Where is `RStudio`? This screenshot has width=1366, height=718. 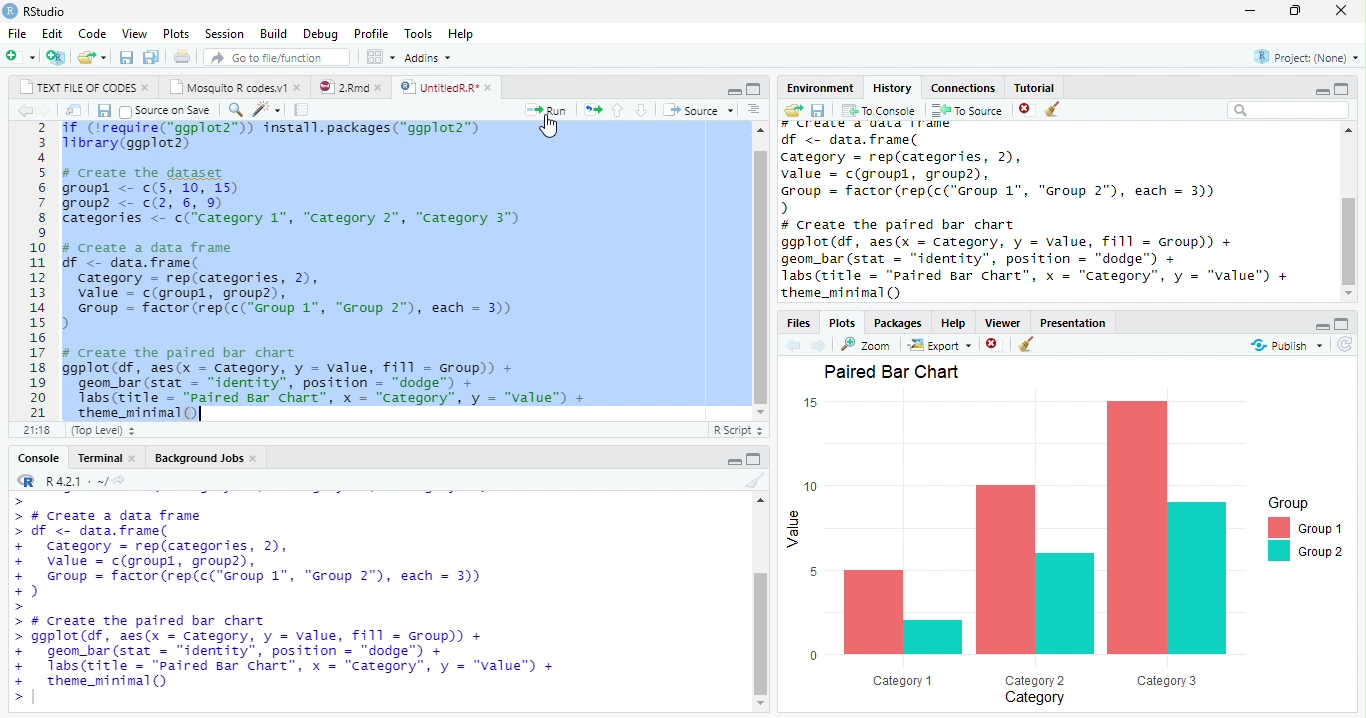 RStudio is located at coordinates (47, 11).